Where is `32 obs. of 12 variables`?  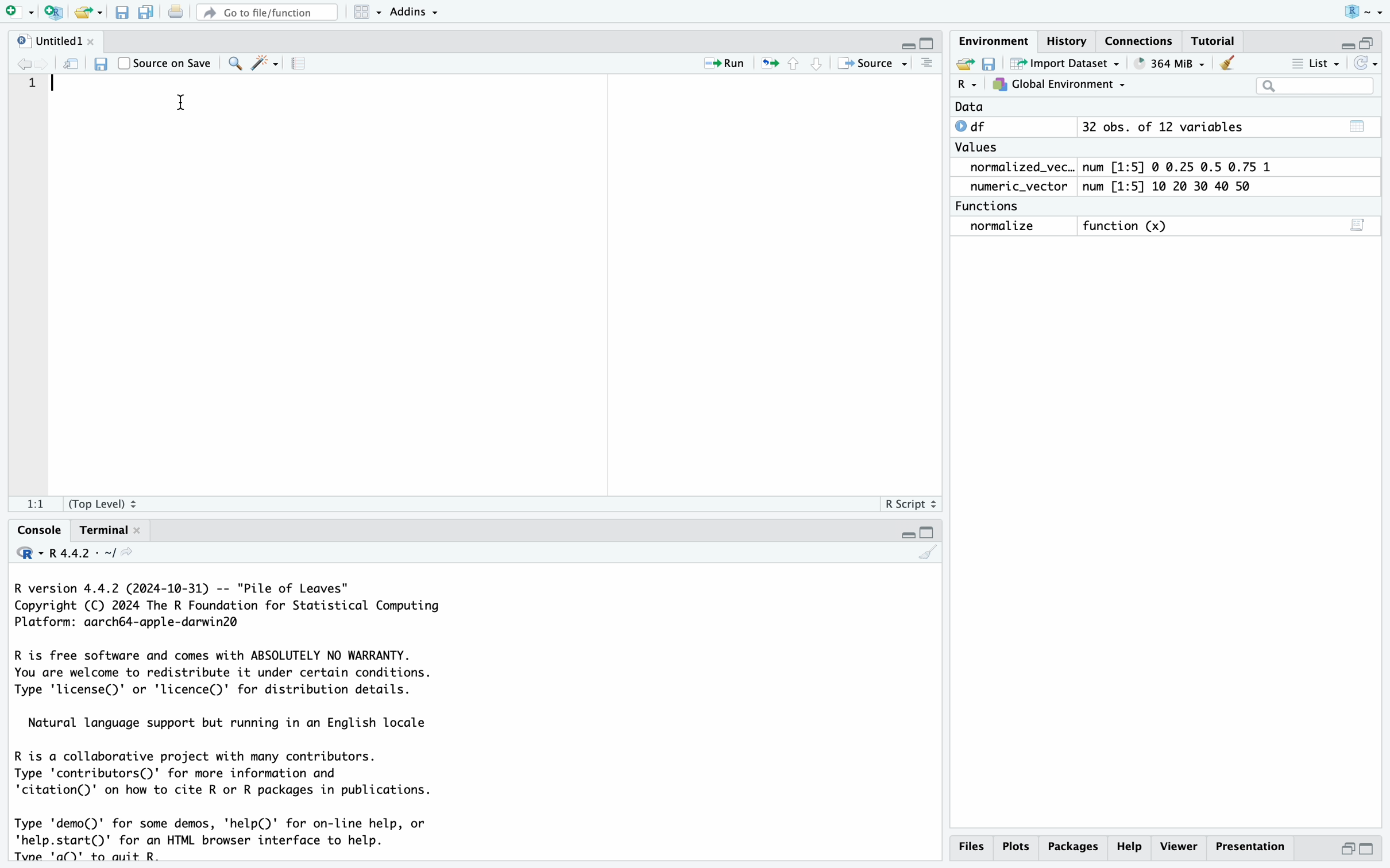 32 obs. of 12 variables is located at coordinates (1162, 128).